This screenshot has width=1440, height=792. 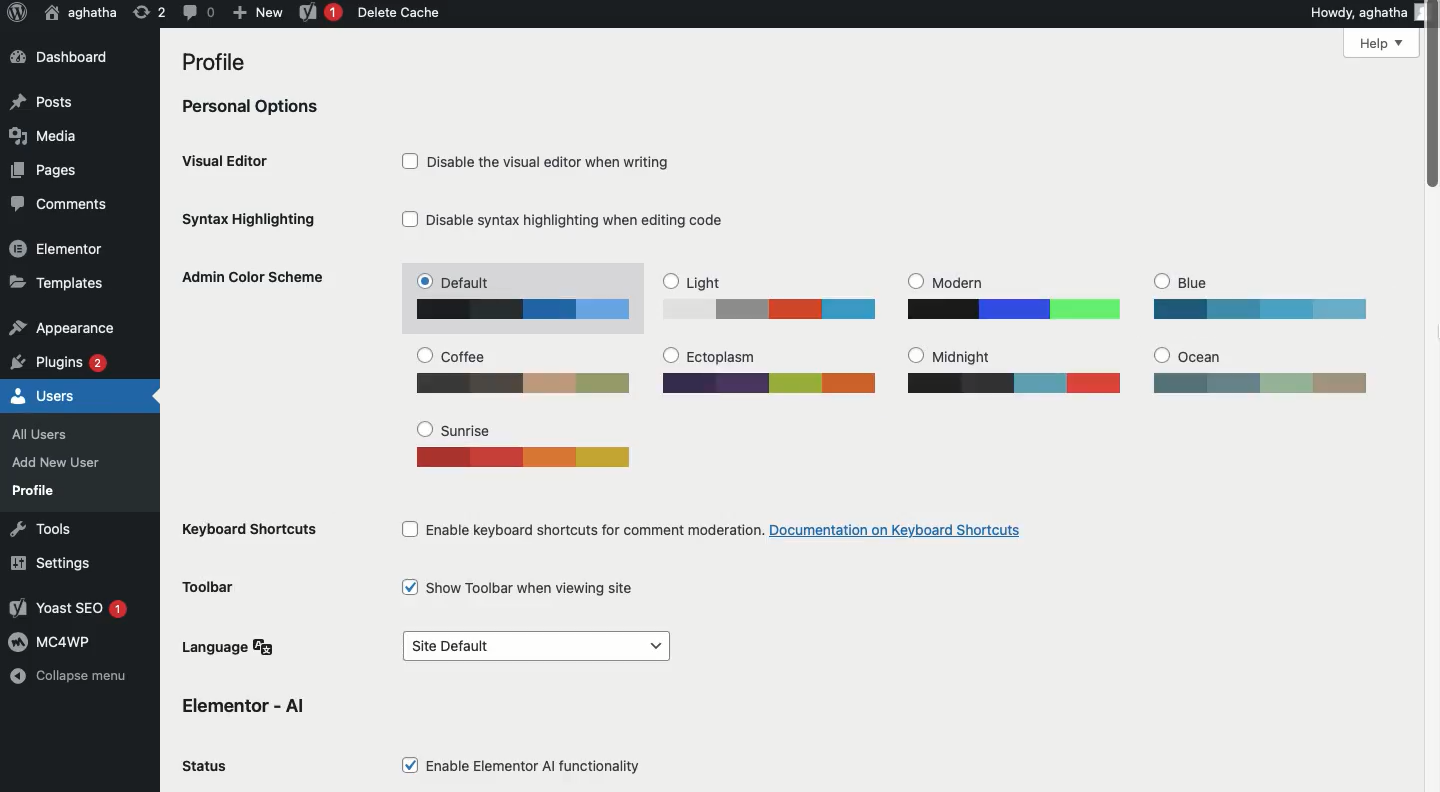 I want to click on Light, so click(x=770, y=296).